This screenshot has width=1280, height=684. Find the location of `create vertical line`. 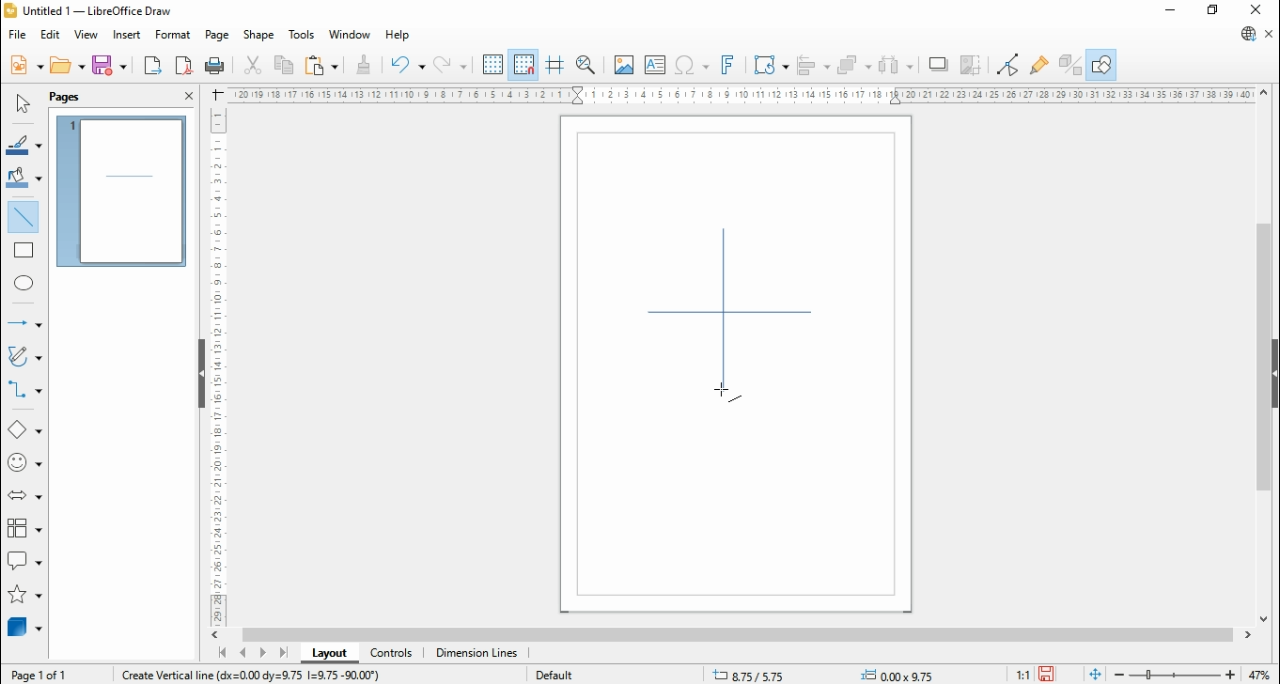

create vertical line is located at coordinates (255, 673).